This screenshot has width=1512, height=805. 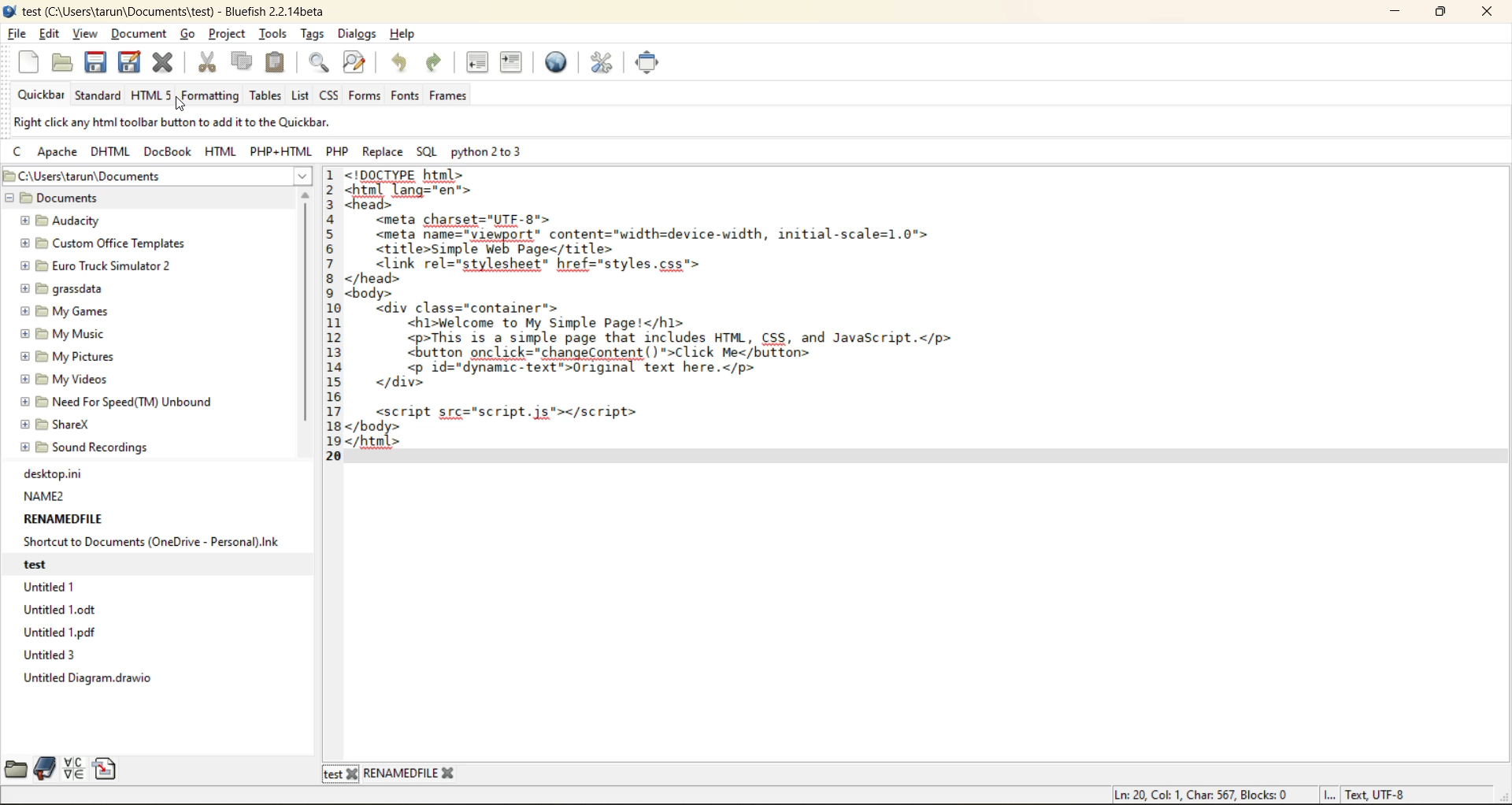 I want to click on line numbers, so click(x=332, y=315).